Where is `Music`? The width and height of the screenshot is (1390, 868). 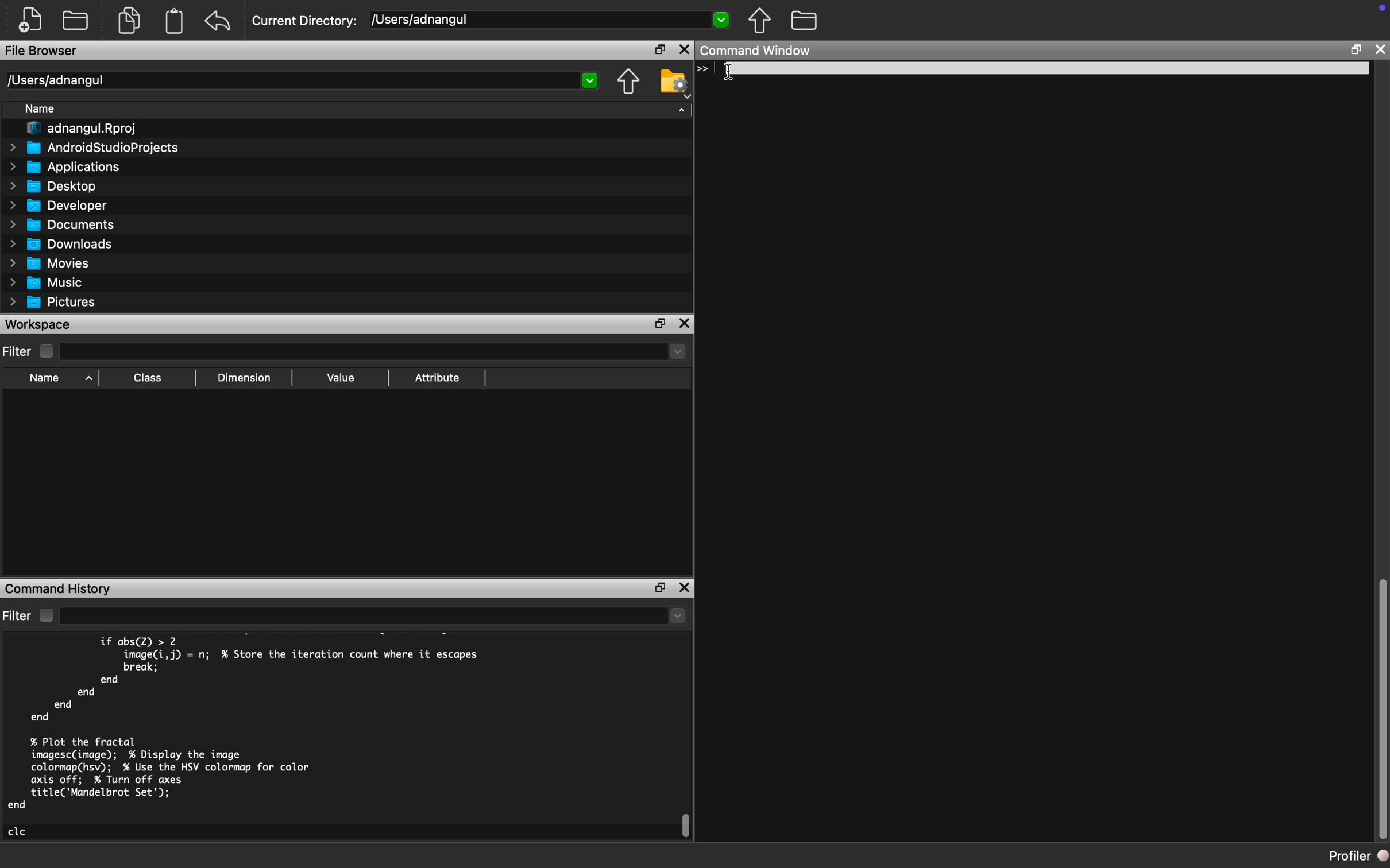 Music is located at coordinates (48, 284).